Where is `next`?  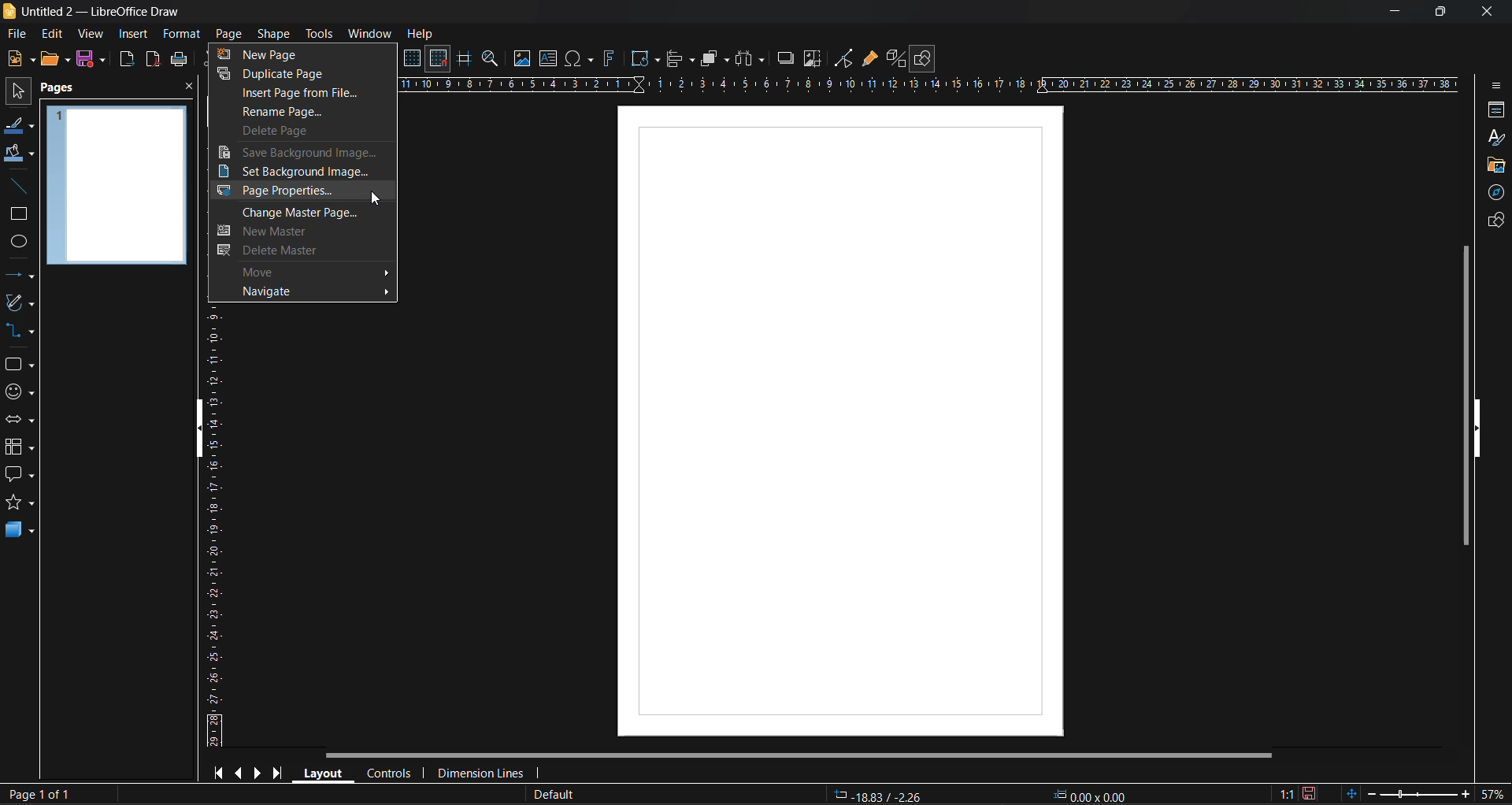
next is located at coordinates (260, 773).